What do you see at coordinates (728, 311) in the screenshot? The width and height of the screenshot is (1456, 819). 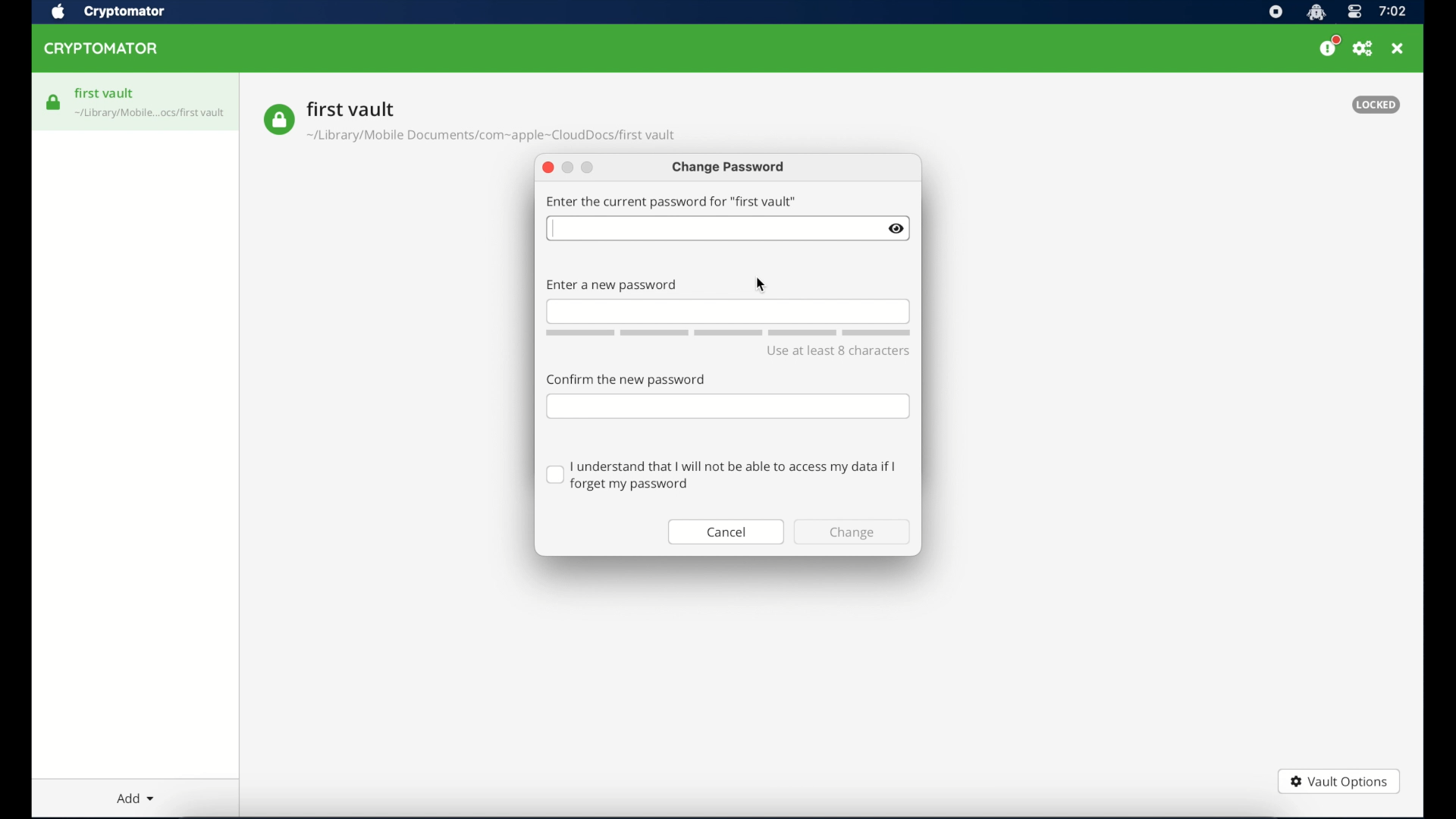 I see `new password field` at bounding box center [728, 311].